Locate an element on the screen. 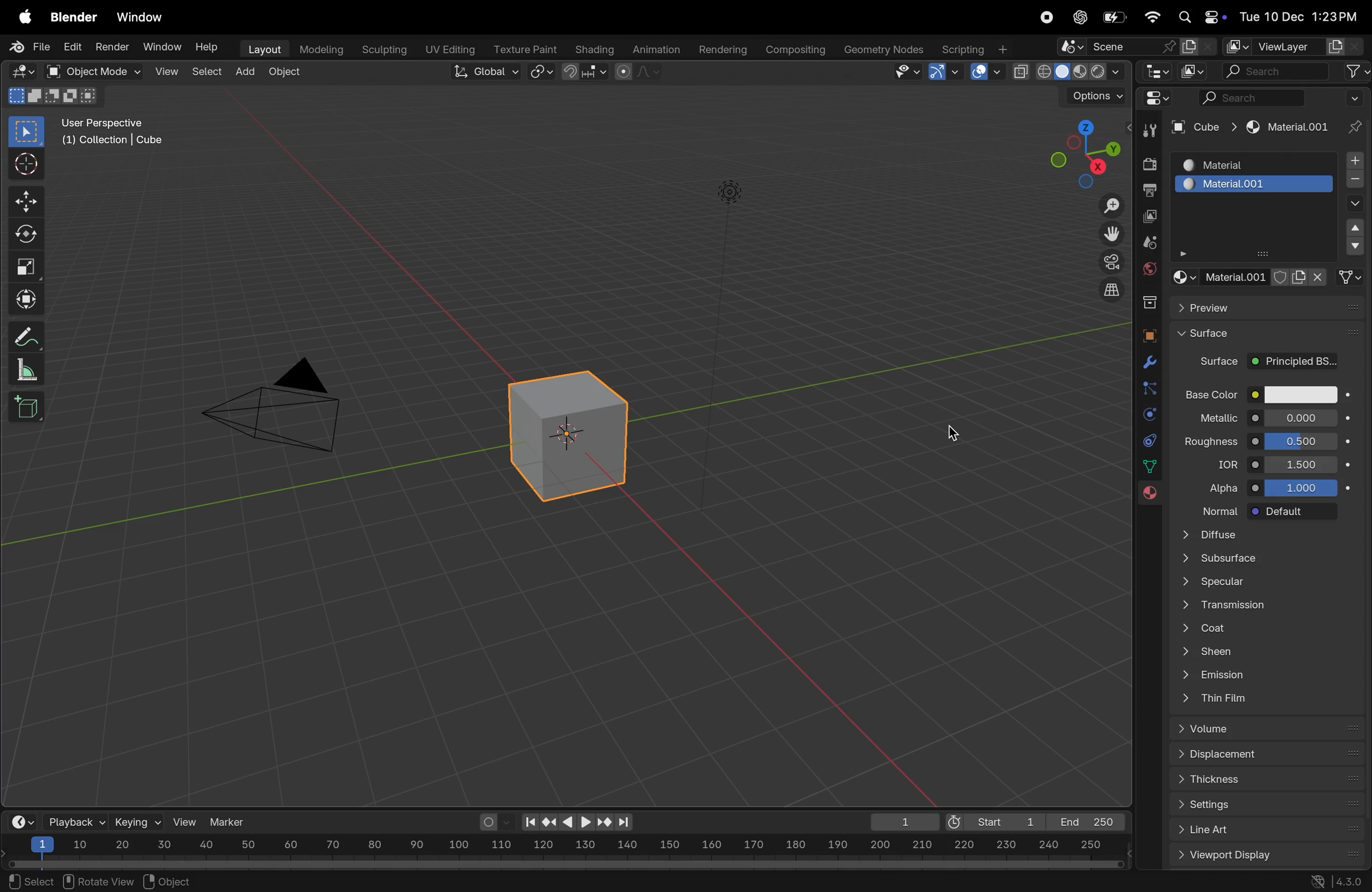 Image resolution: width=1372 pixels, height=892 pixels. texture paint is located at coordinates (523, 46).